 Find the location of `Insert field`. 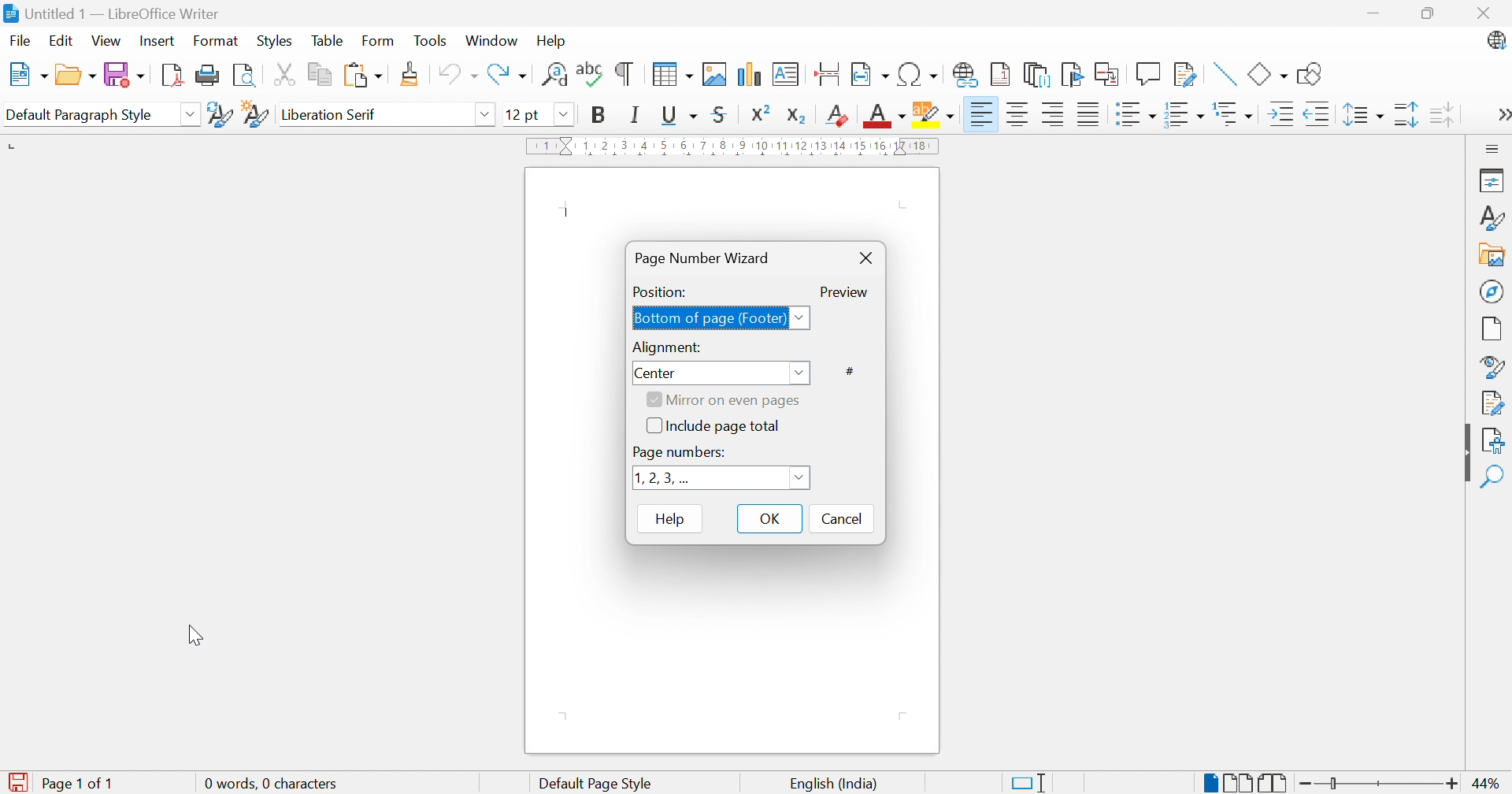

Insert field is located at coordinates (872, 73).